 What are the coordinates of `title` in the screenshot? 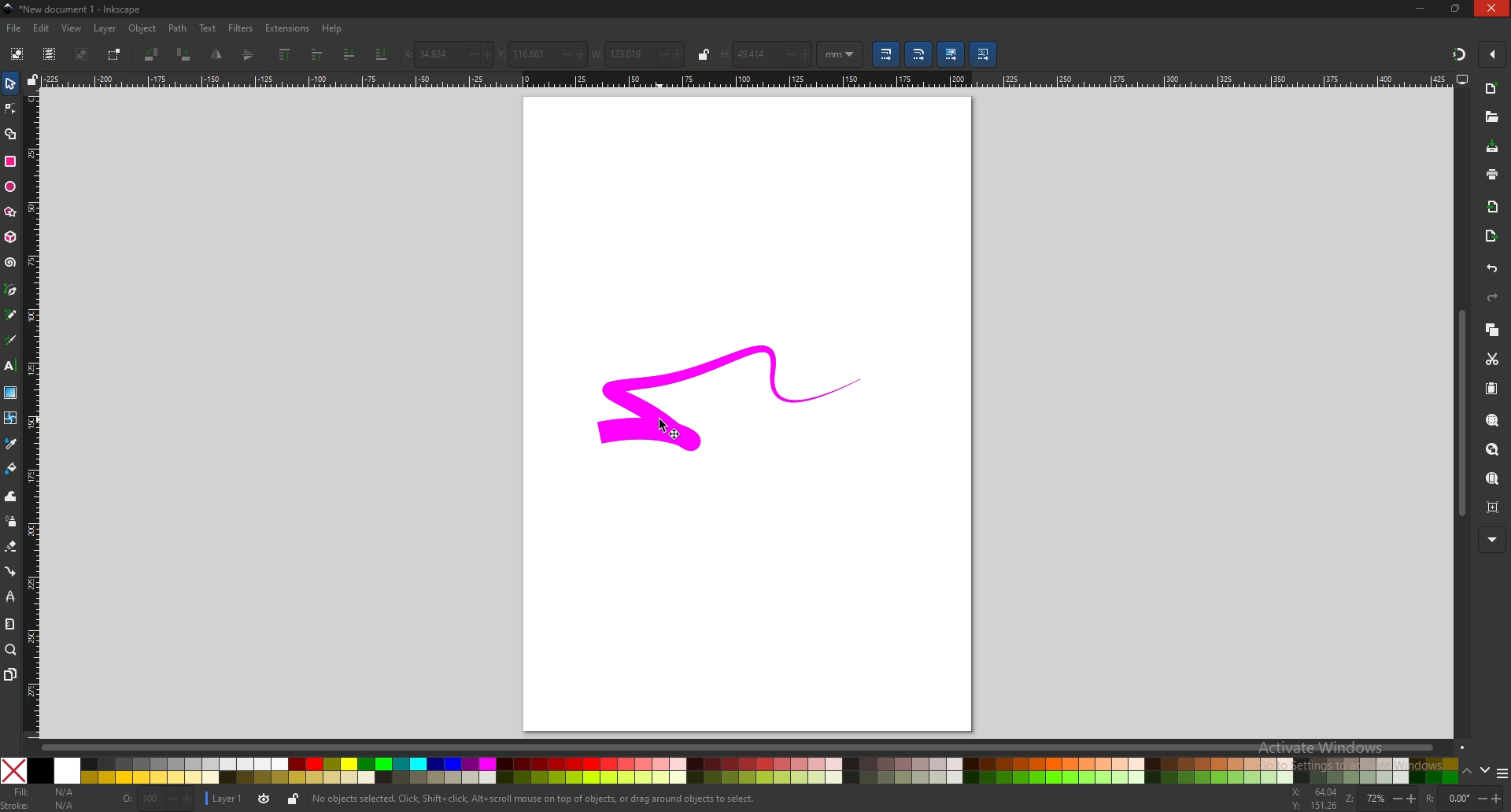 It's located at (76, 10).